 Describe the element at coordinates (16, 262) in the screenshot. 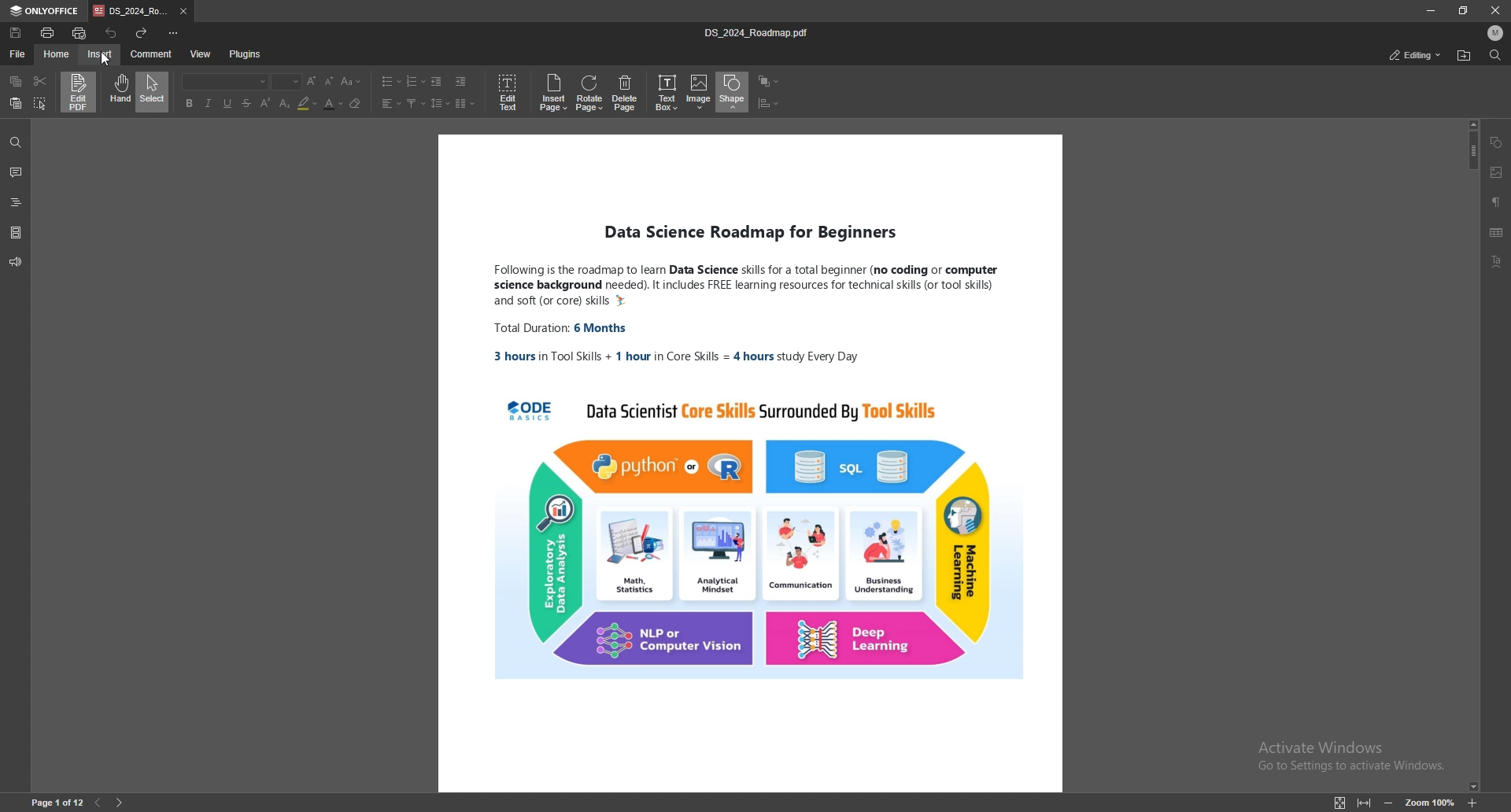

I see `feedback` at that location.